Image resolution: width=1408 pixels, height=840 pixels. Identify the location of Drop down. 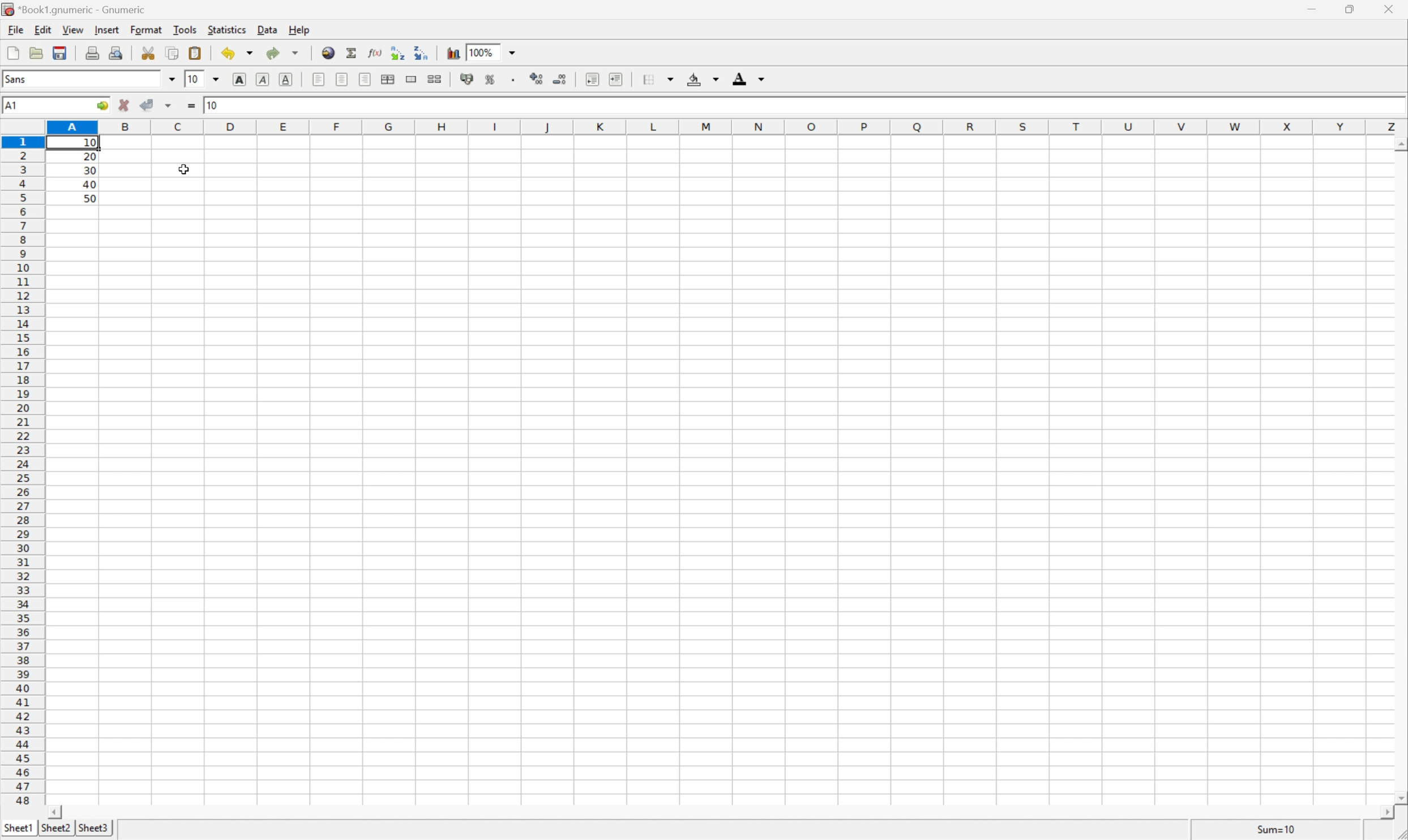
(295, 54).